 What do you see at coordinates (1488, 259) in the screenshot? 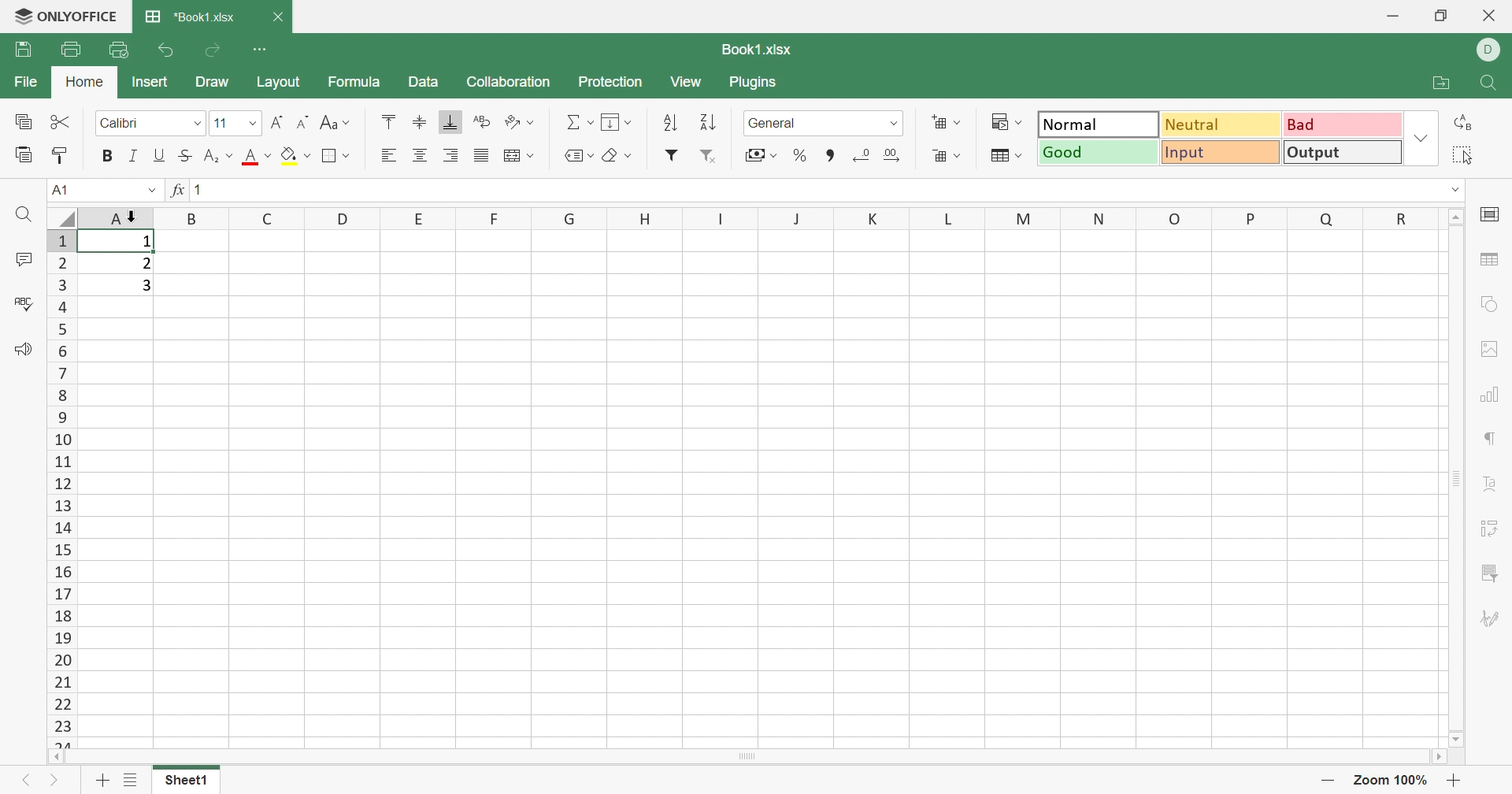
I see `Table settings` at bounding box center [1488, 259].